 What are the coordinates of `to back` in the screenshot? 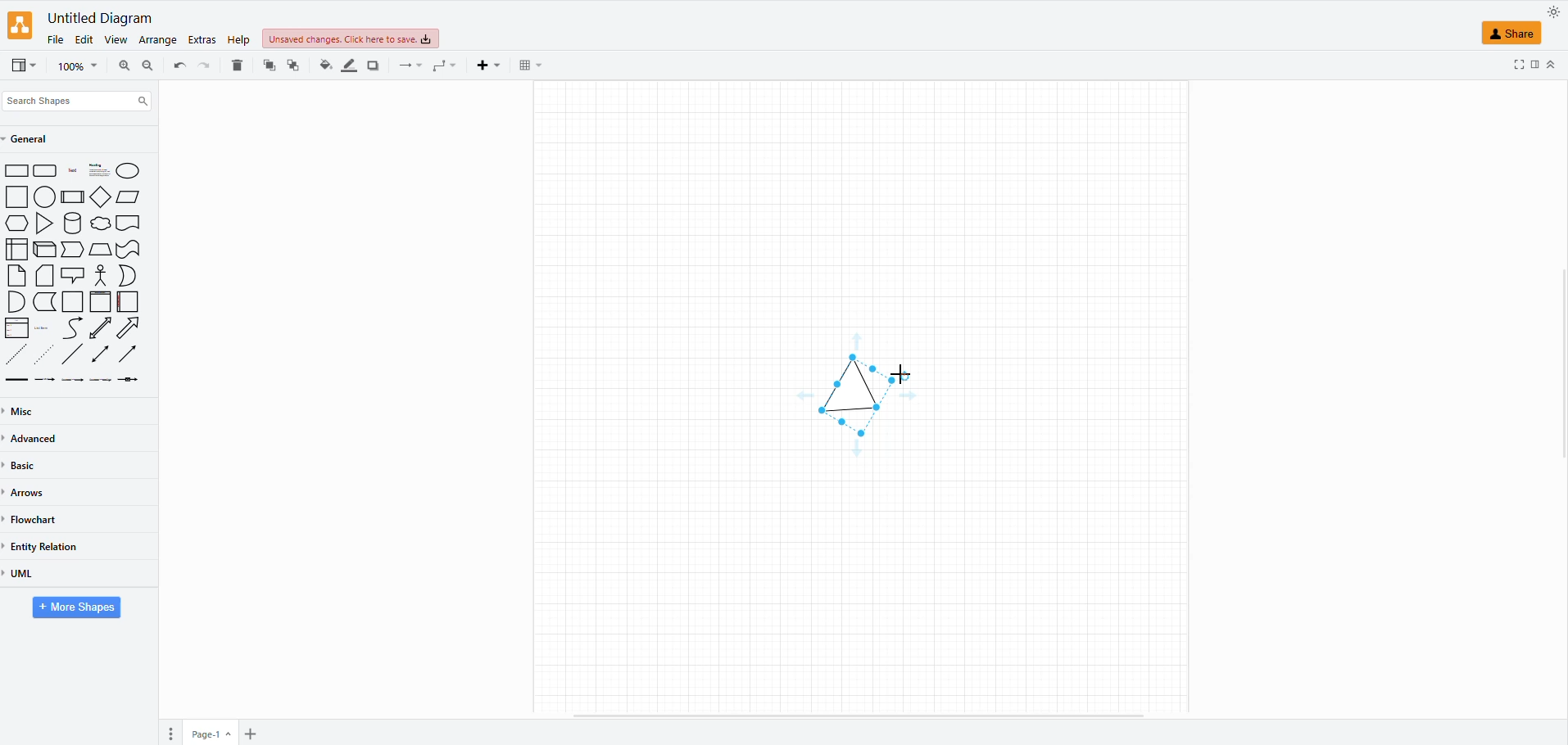 It's located at (268, 65).